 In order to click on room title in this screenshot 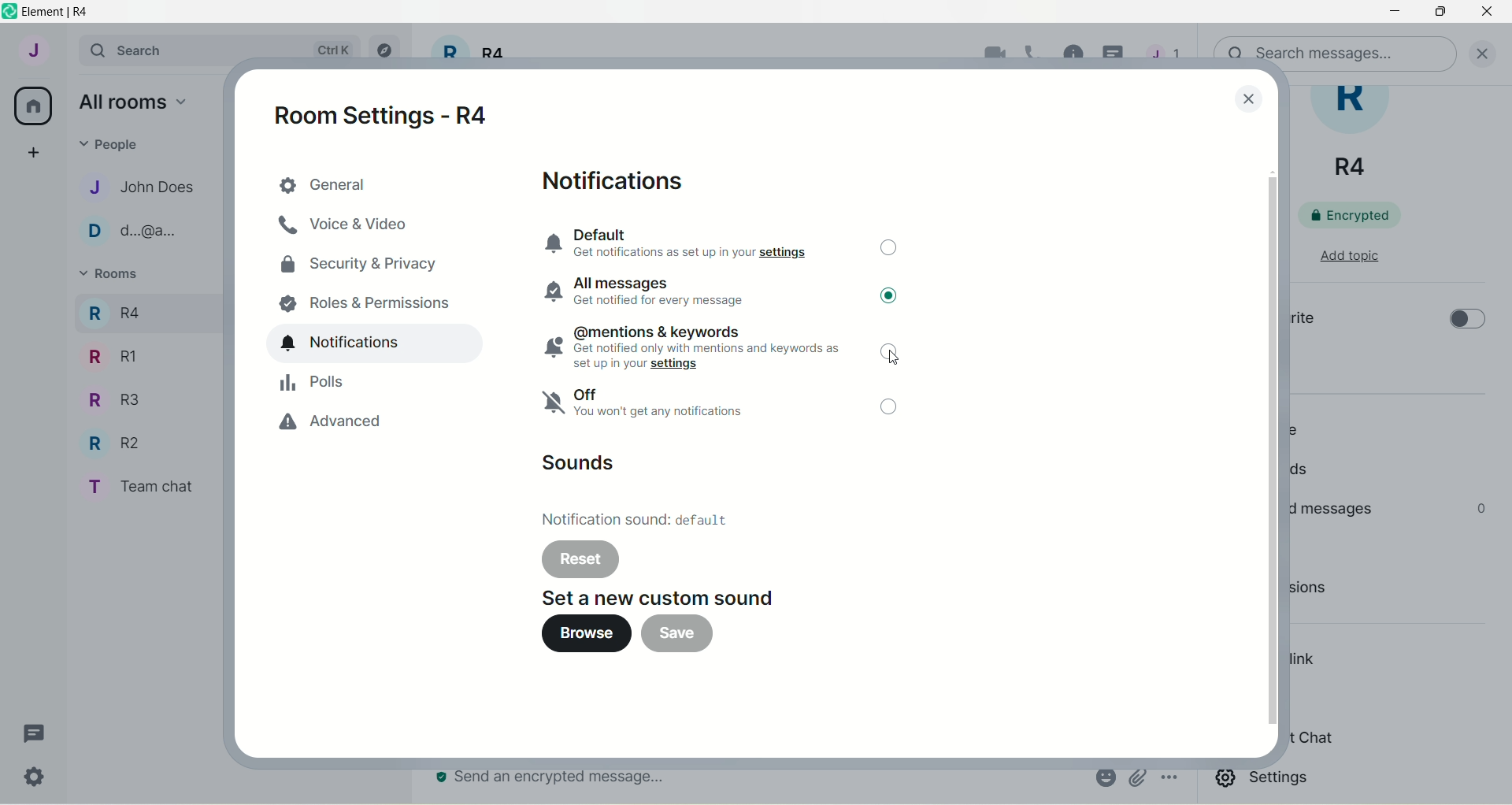, I will do `click(1359, 134)`.